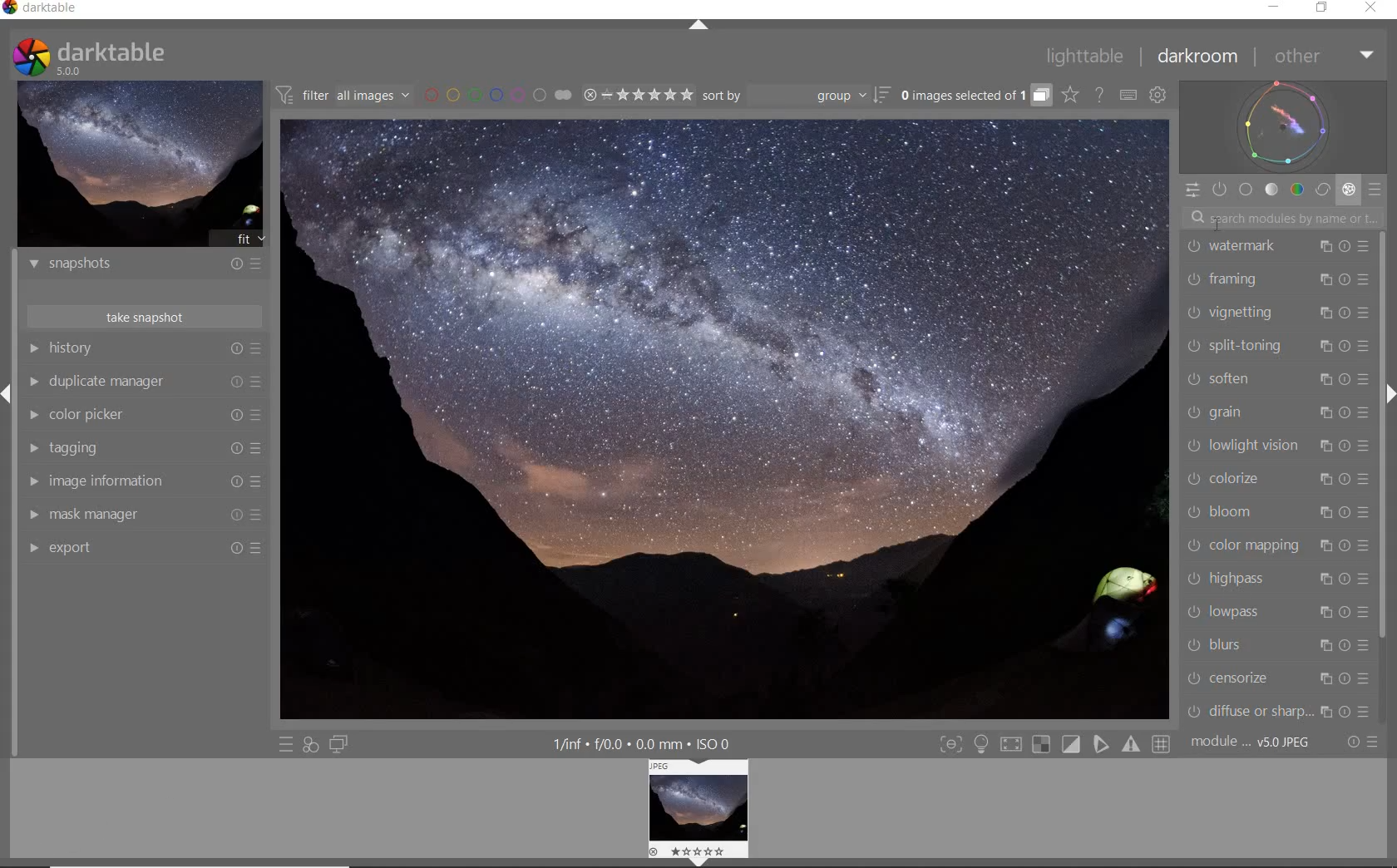 Image resolution: width=1397 pixels, height=868 pixels. I want to click on LOWPASS, so click(1228, 612).